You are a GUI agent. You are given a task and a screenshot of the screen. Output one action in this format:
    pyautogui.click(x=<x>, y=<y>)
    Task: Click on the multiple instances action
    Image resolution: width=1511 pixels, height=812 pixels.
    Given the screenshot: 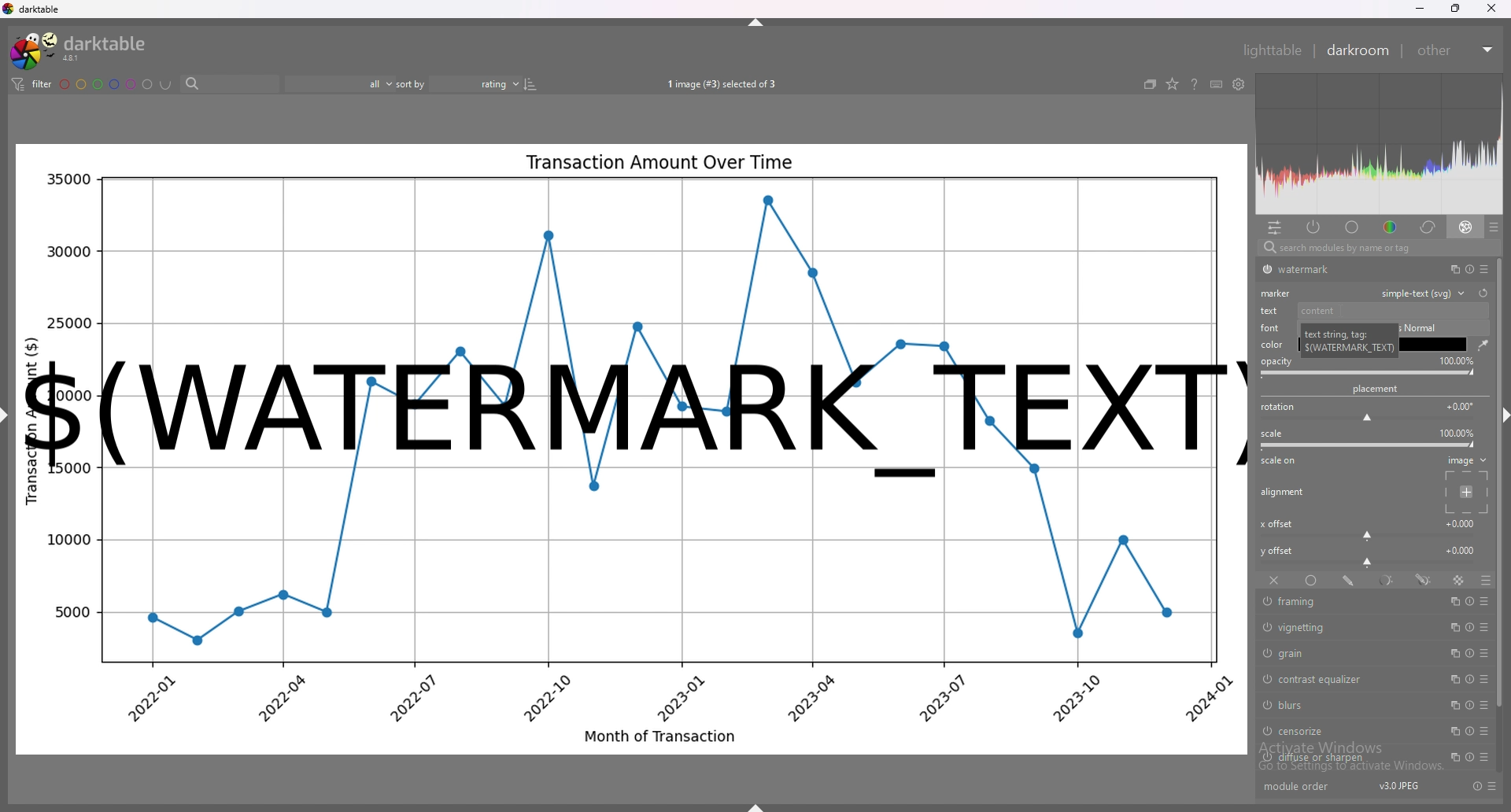 What is the action you would take?
    pyautogui.click(x=1454, y=600)
    